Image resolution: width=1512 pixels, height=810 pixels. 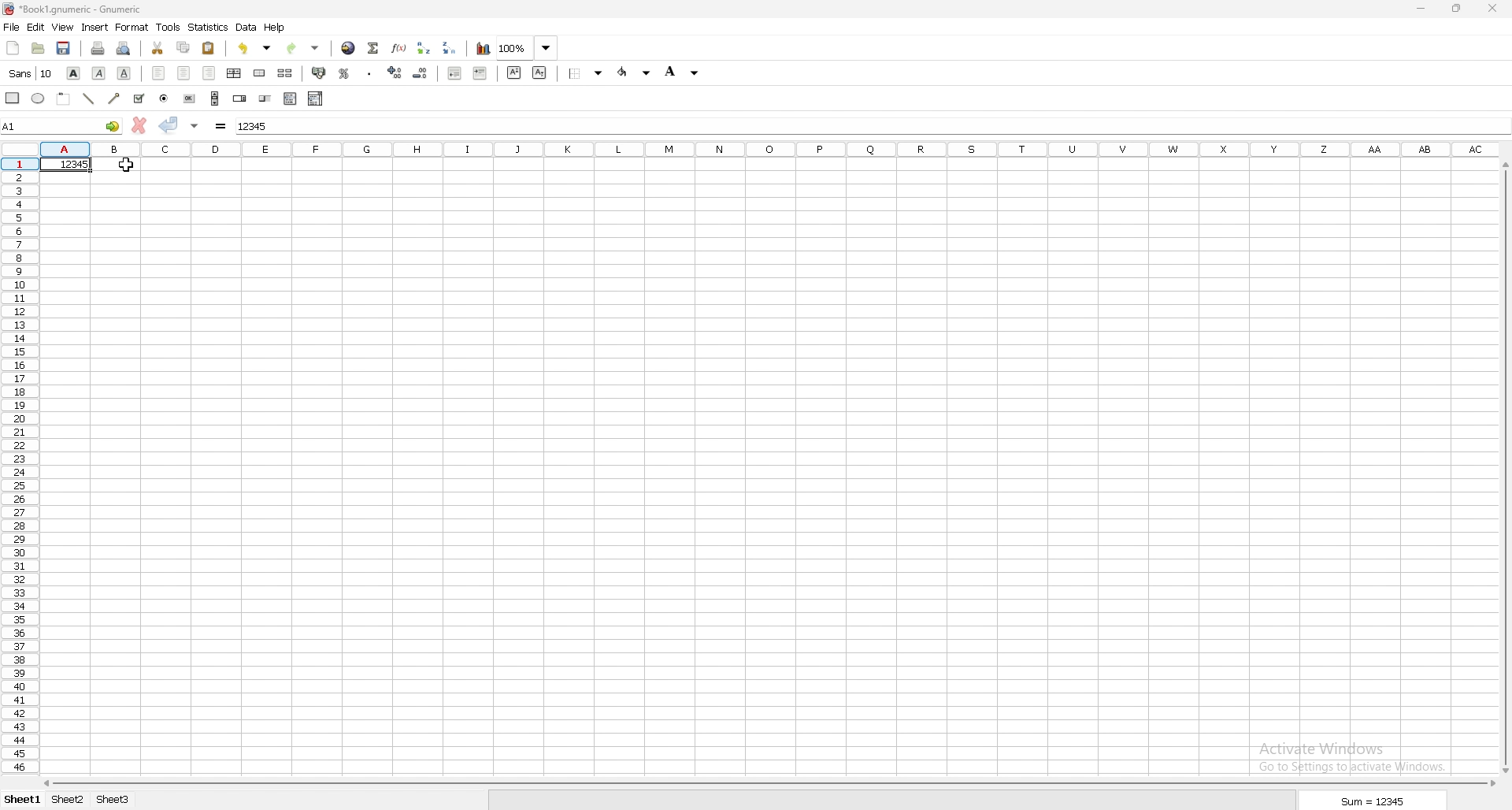 I want to click on split merged cells, so click(x=286, y=73).